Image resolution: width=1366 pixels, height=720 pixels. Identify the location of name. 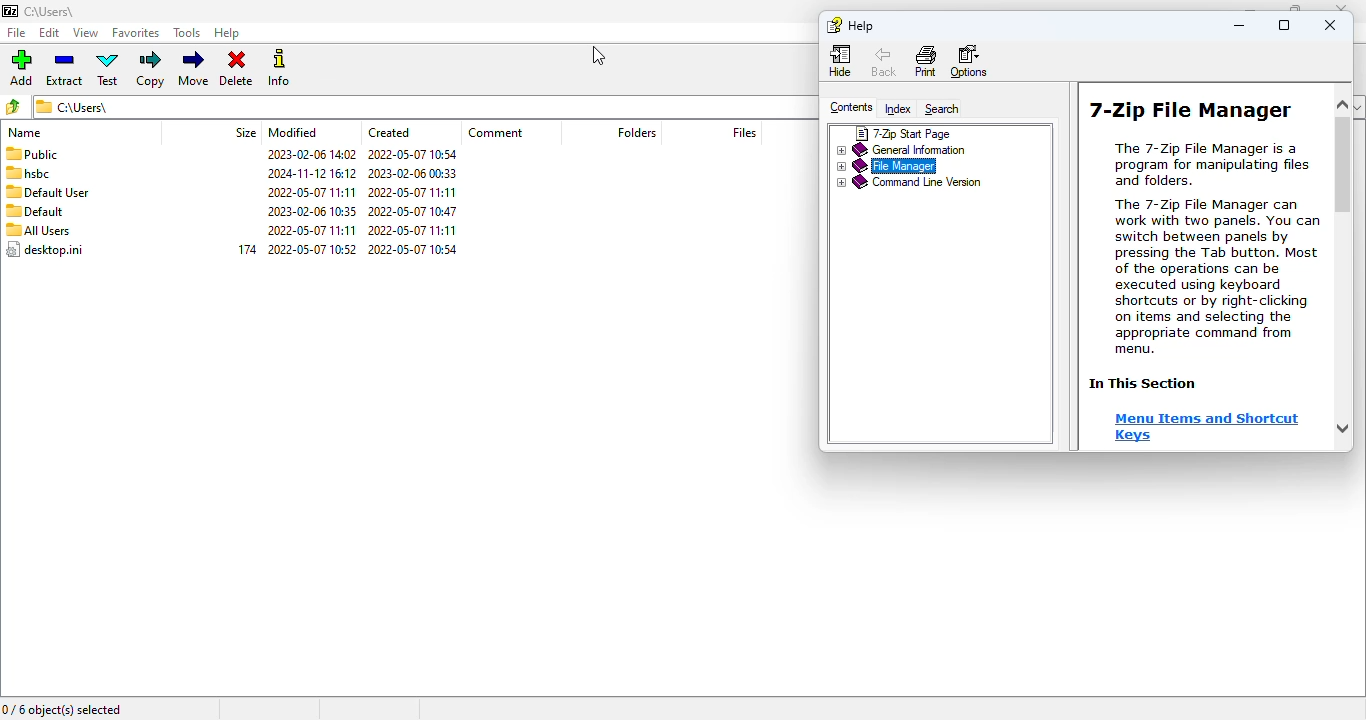
(25, 133).